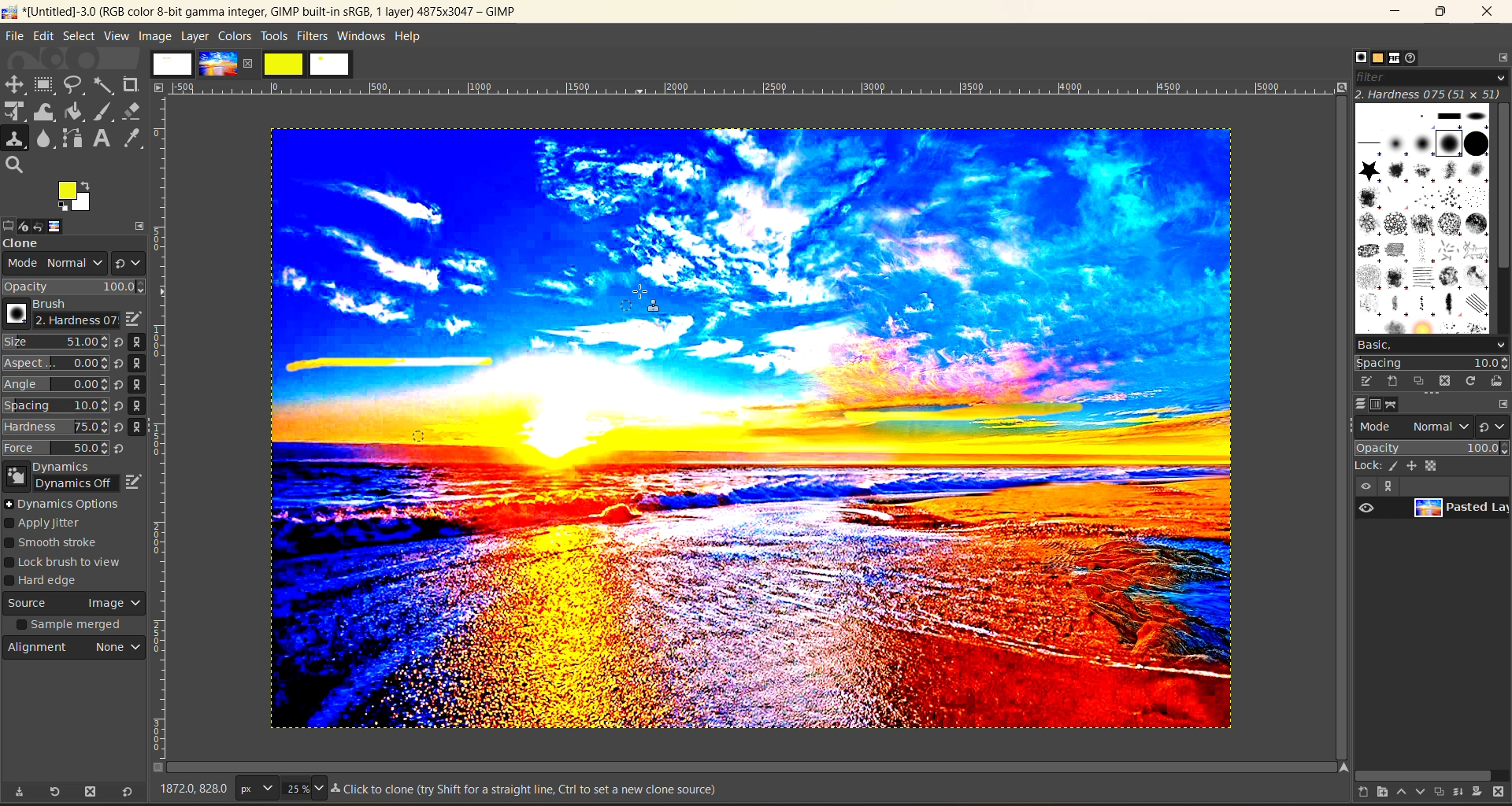 This screenshot has height=806, width=1512. What do you see at coordinates (1392, 382) in the screenshot?
I see `create a new brush` at bounding box center [1392, 382].